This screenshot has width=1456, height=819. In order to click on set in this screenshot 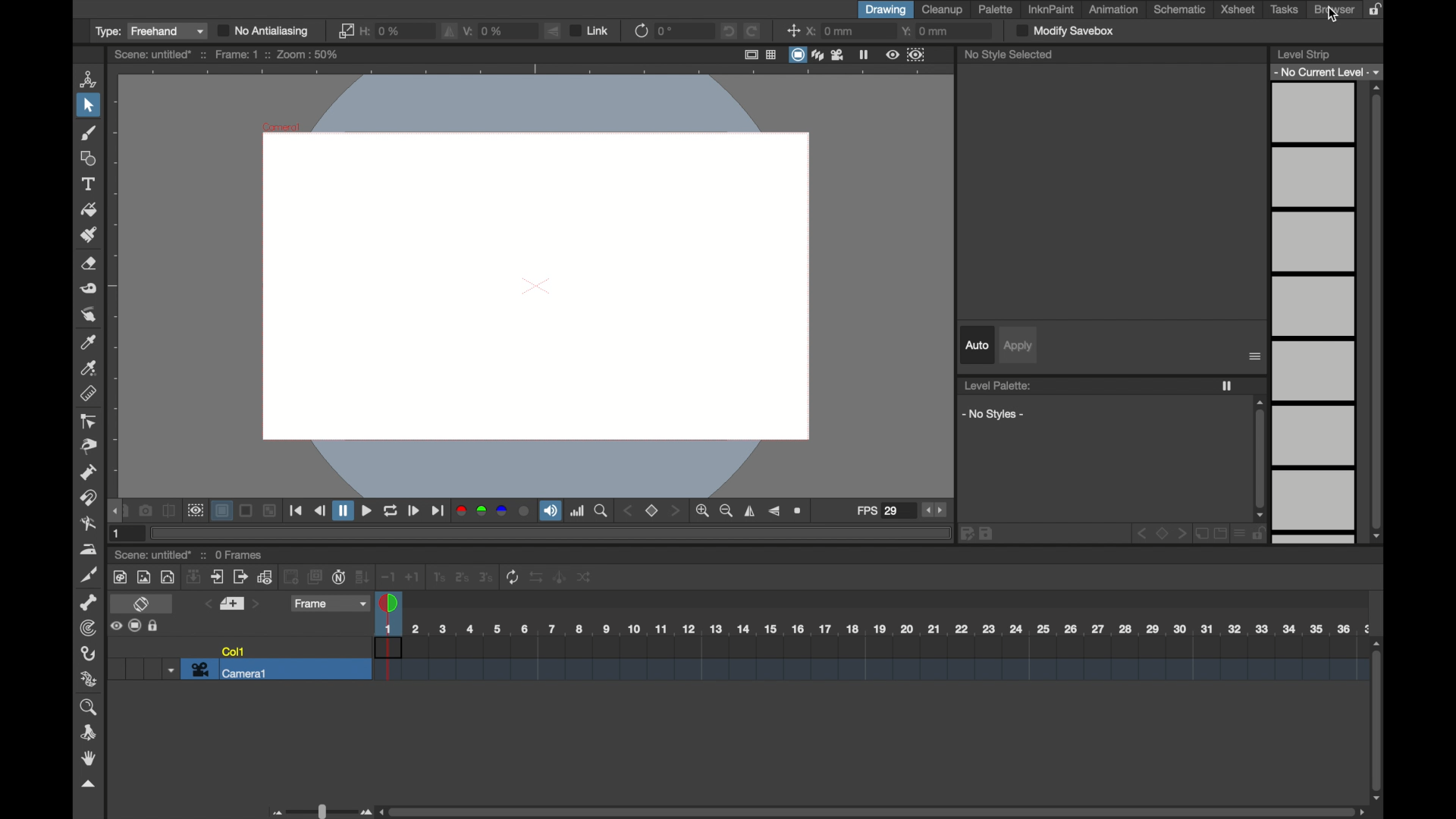, I will do `click(234, 604)`.